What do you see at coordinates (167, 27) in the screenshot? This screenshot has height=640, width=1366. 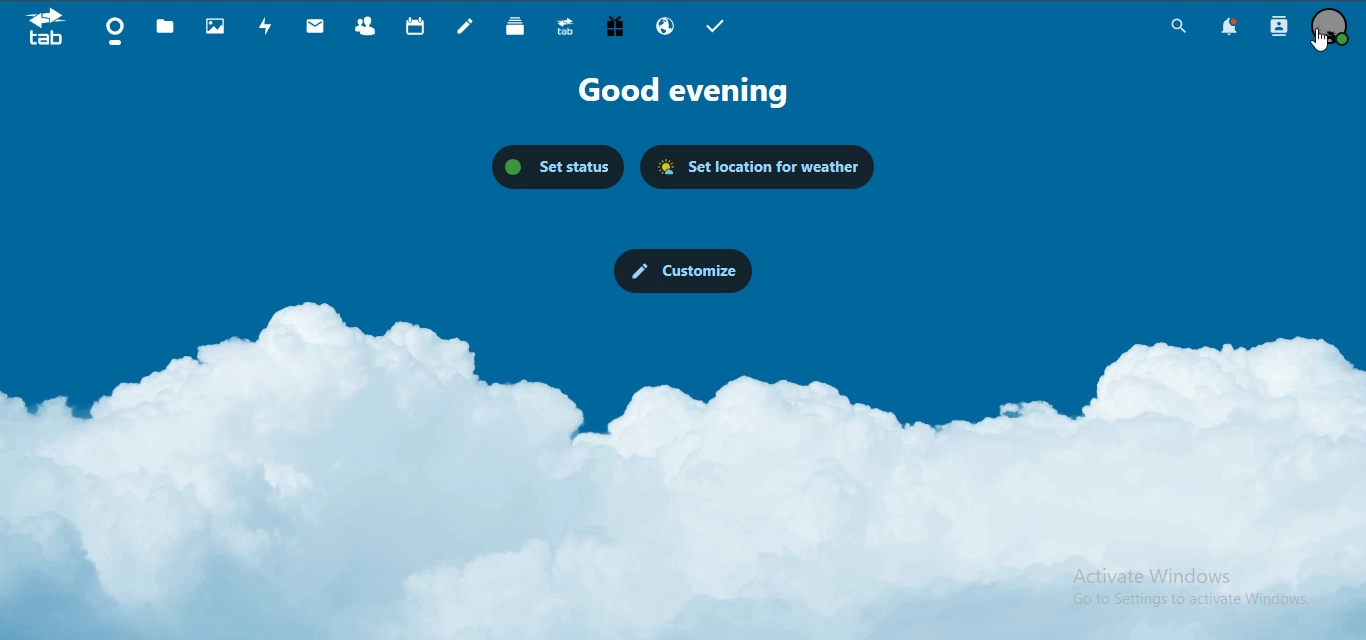 I see `files` at bounding box center [167, 27].